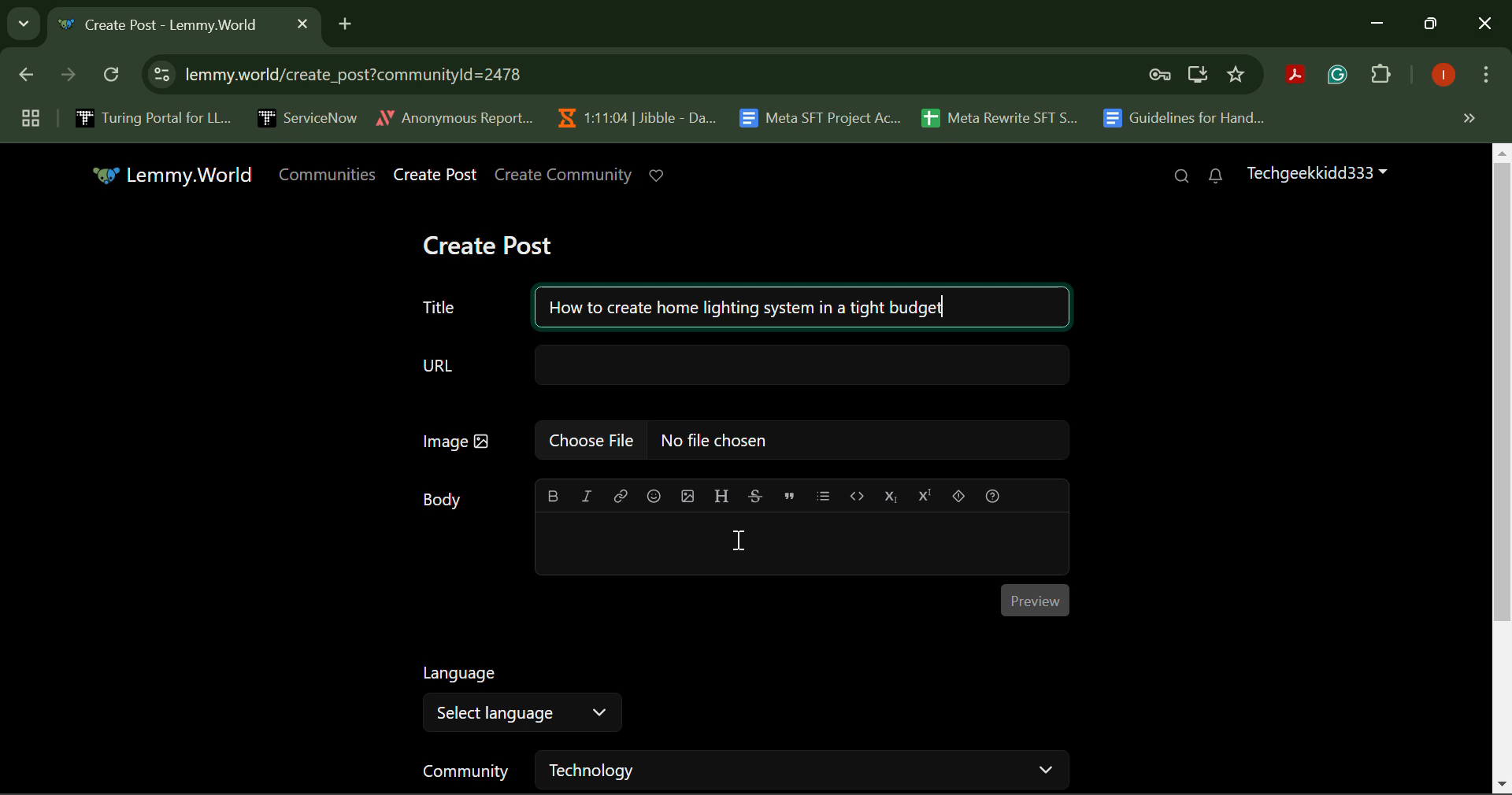 This screenshot has width=1512, height=795. Describe the element at coordinates (487, 243) in the screenshot. I see `Create Post Heading ` at that location.